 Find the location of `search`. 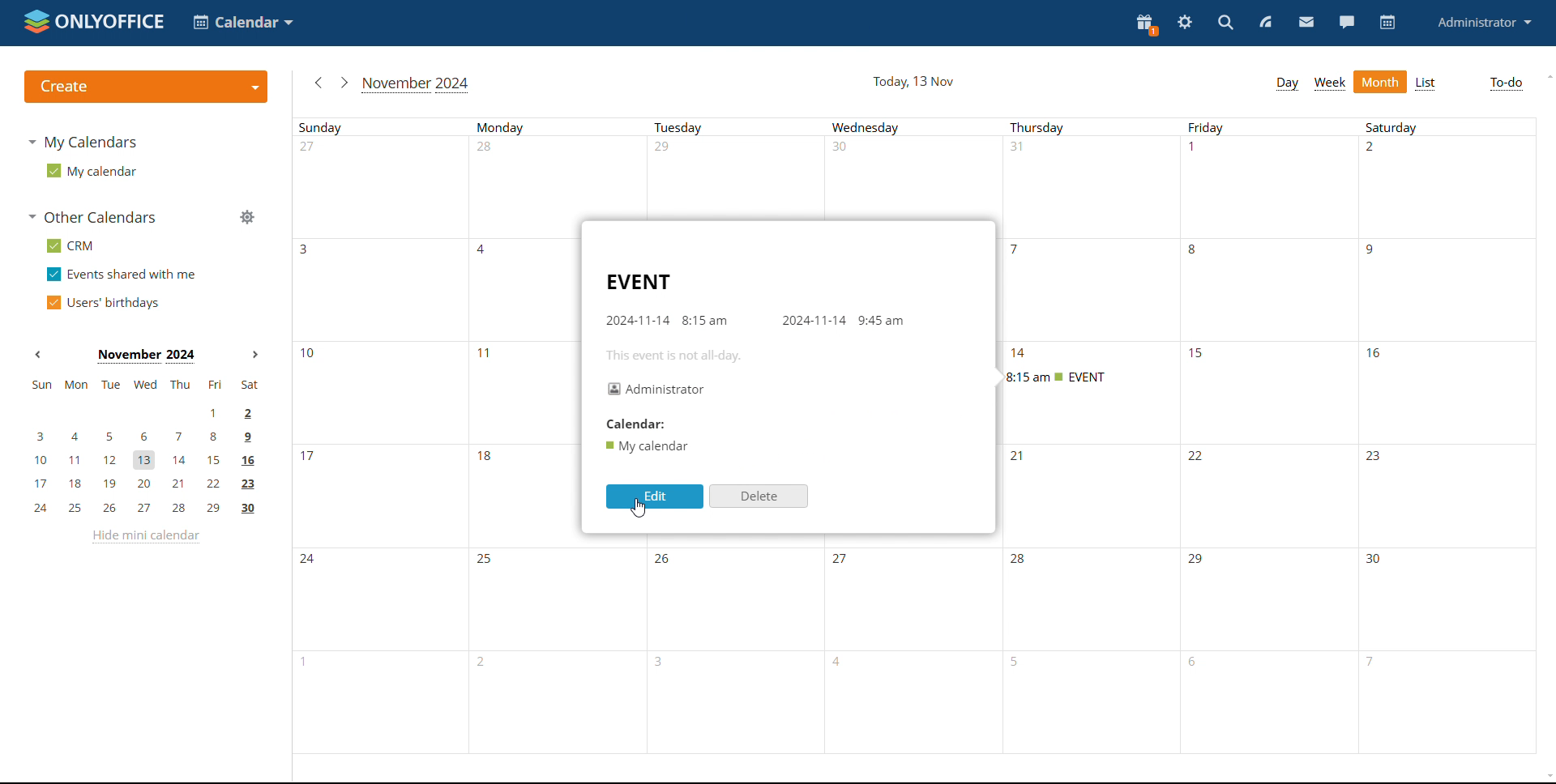

search is located at coordinates (1228, 23).